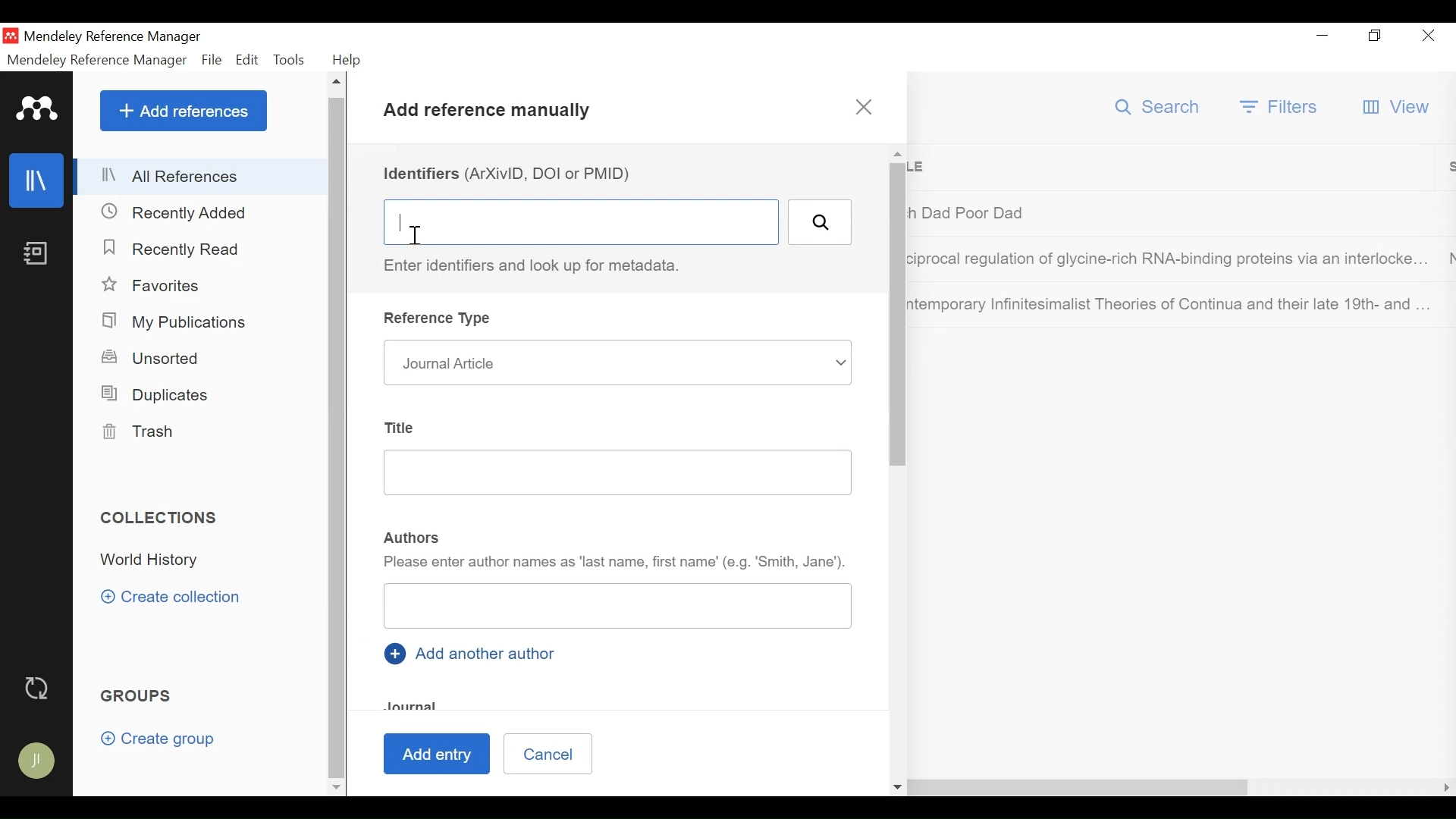  Describe the element at coordinates (604, 475) in the screenshot. I see `Title name box` at that location.